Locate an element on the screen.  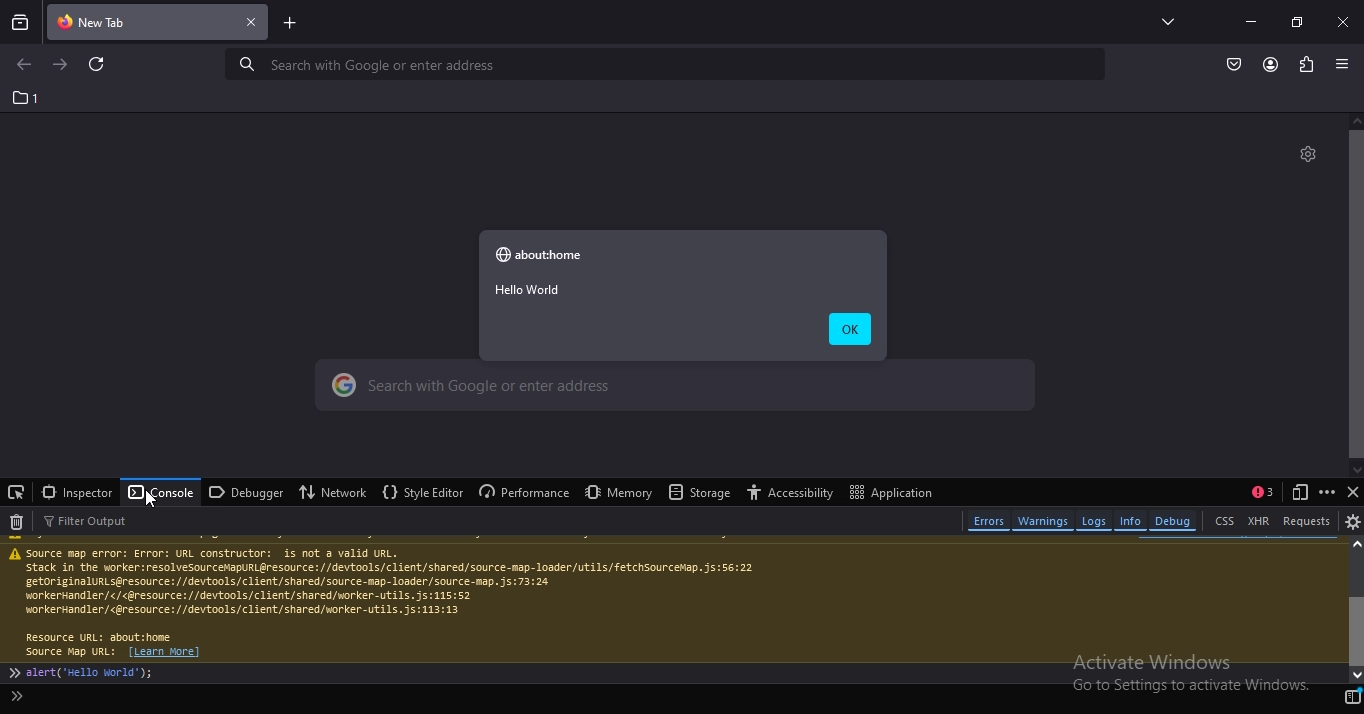
personalise this tab is located at coordinates (1308, 154).